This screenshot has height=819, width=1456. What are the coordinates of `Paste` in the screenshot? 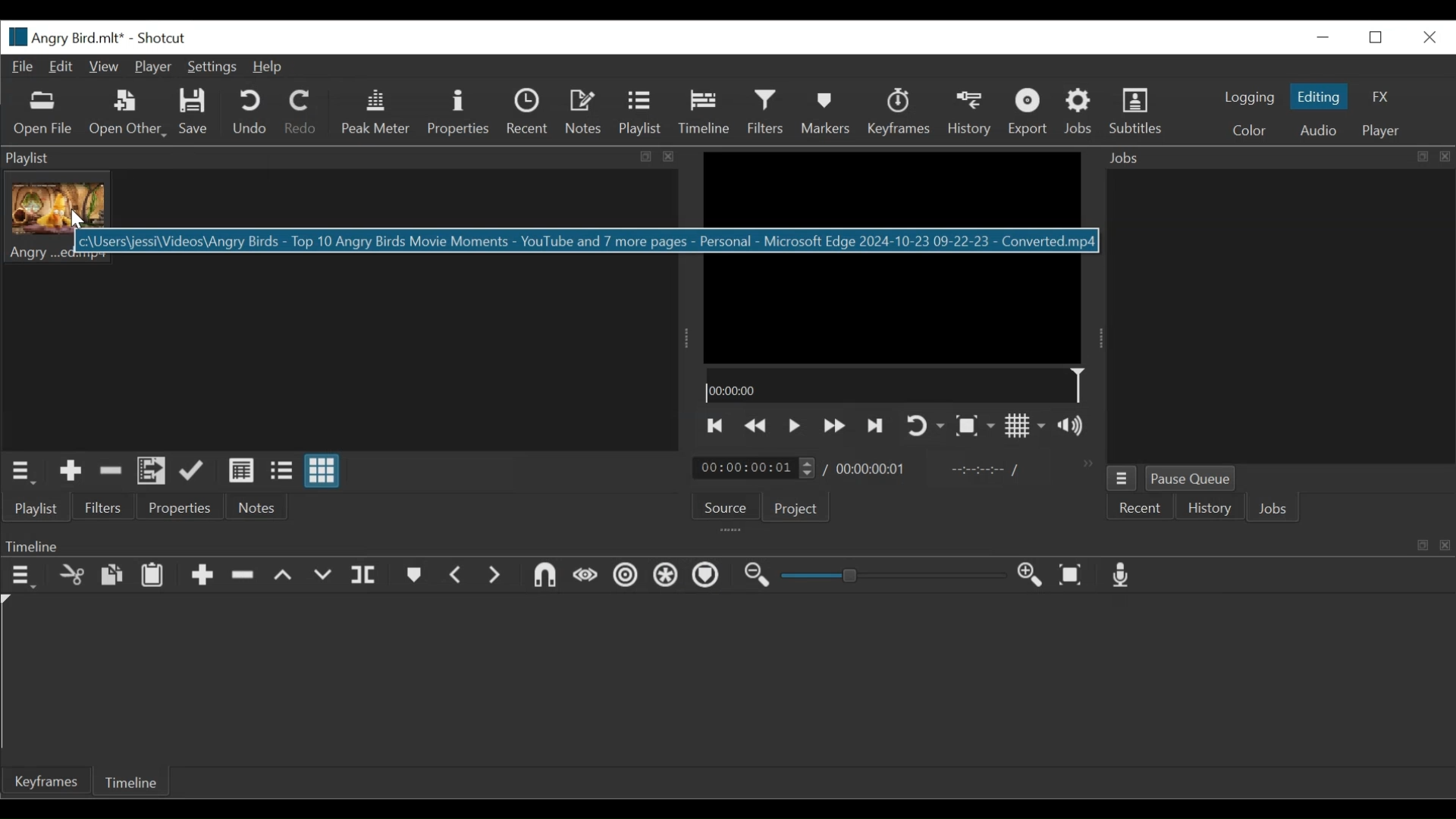 It's located at (155, 577).